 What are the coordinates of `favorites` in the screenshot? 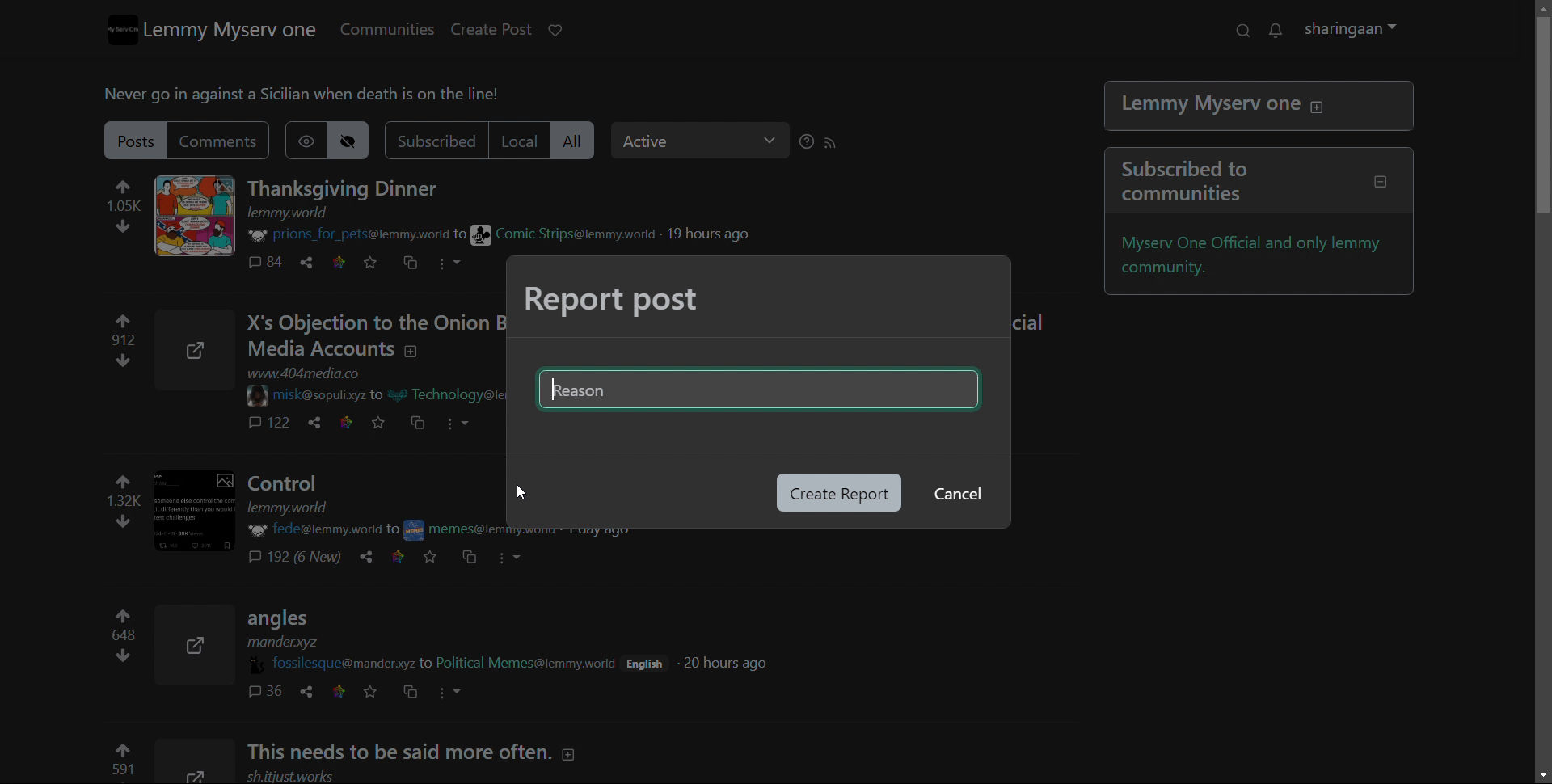 It's located at (436, 557).